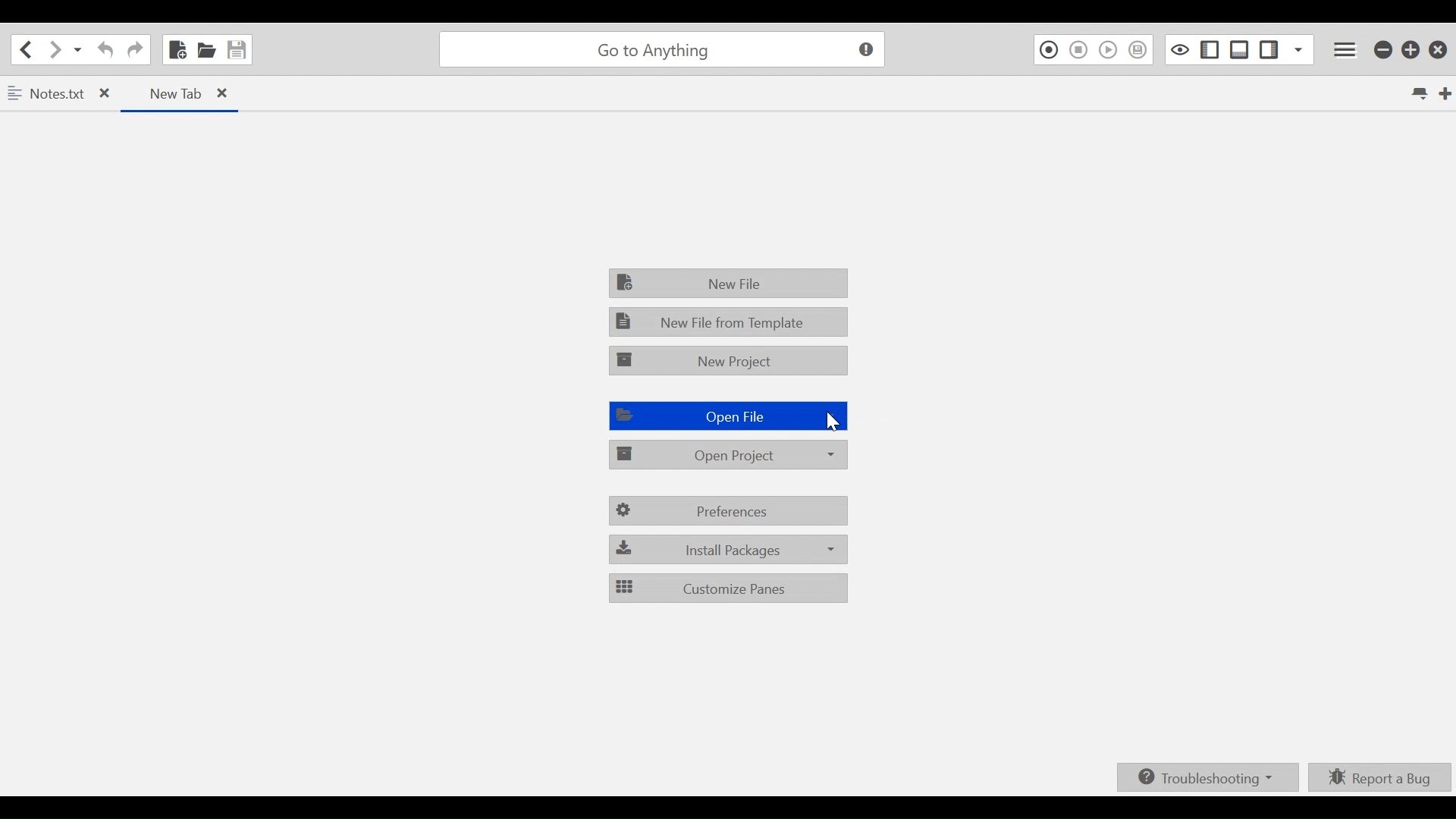 The width and height of the screenshot is (1456, 819). I want to click on Save File, so click(237, 49).